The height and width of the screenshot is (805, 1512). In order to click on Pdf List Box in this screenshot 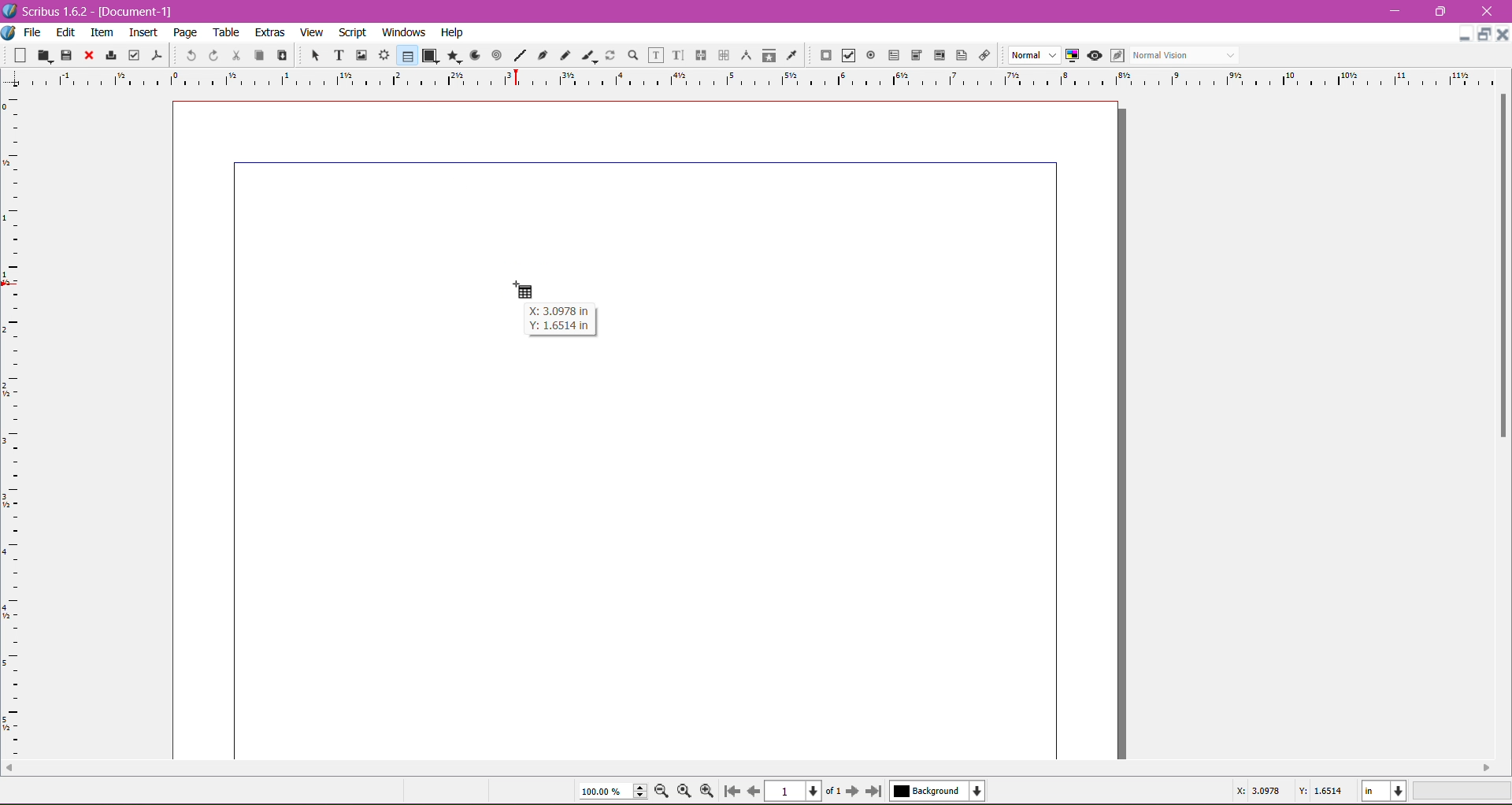, I will do `click(937, 56)`.